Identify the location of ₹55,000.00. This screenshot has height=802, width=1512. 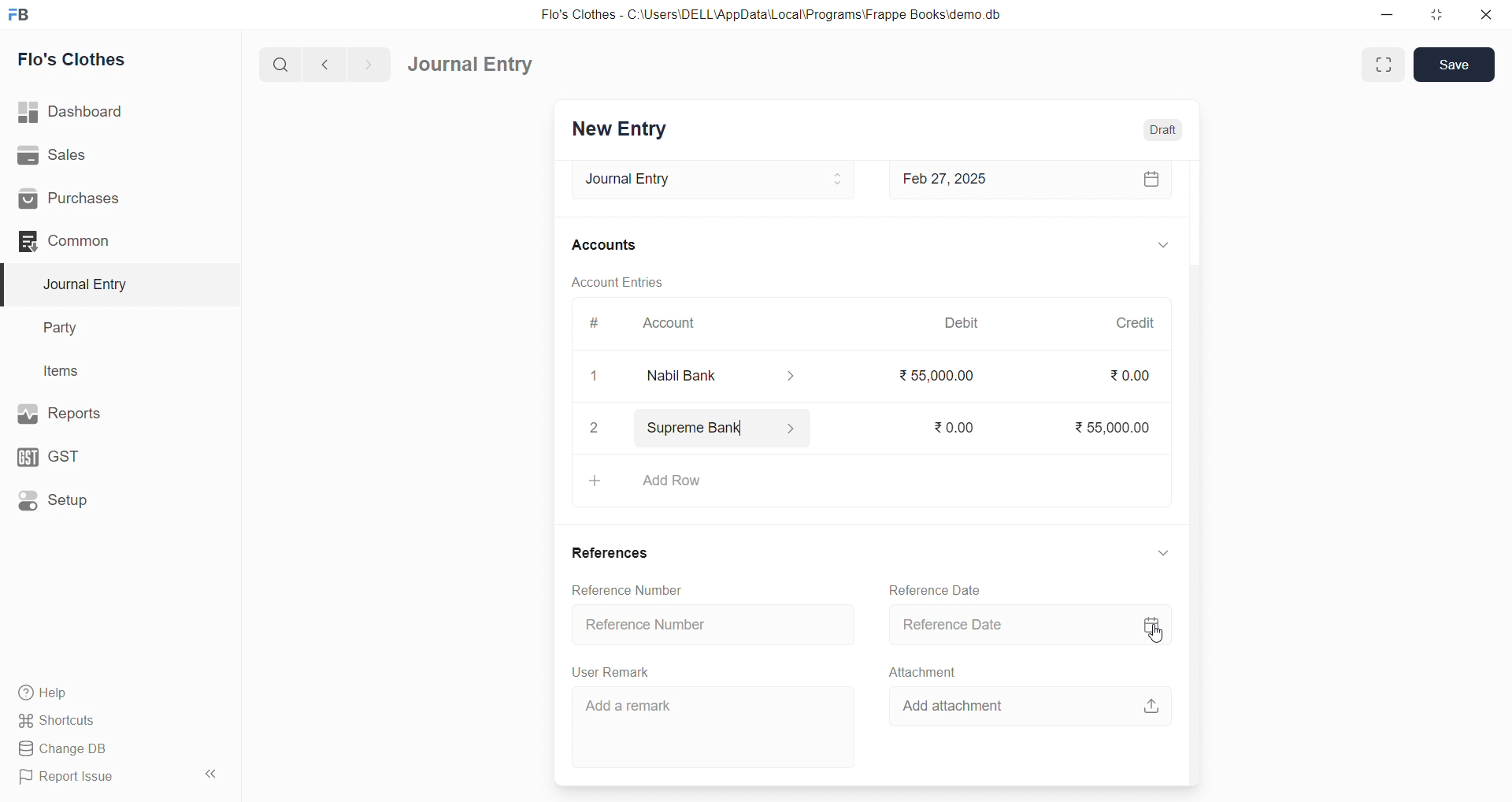
(1105, 425).